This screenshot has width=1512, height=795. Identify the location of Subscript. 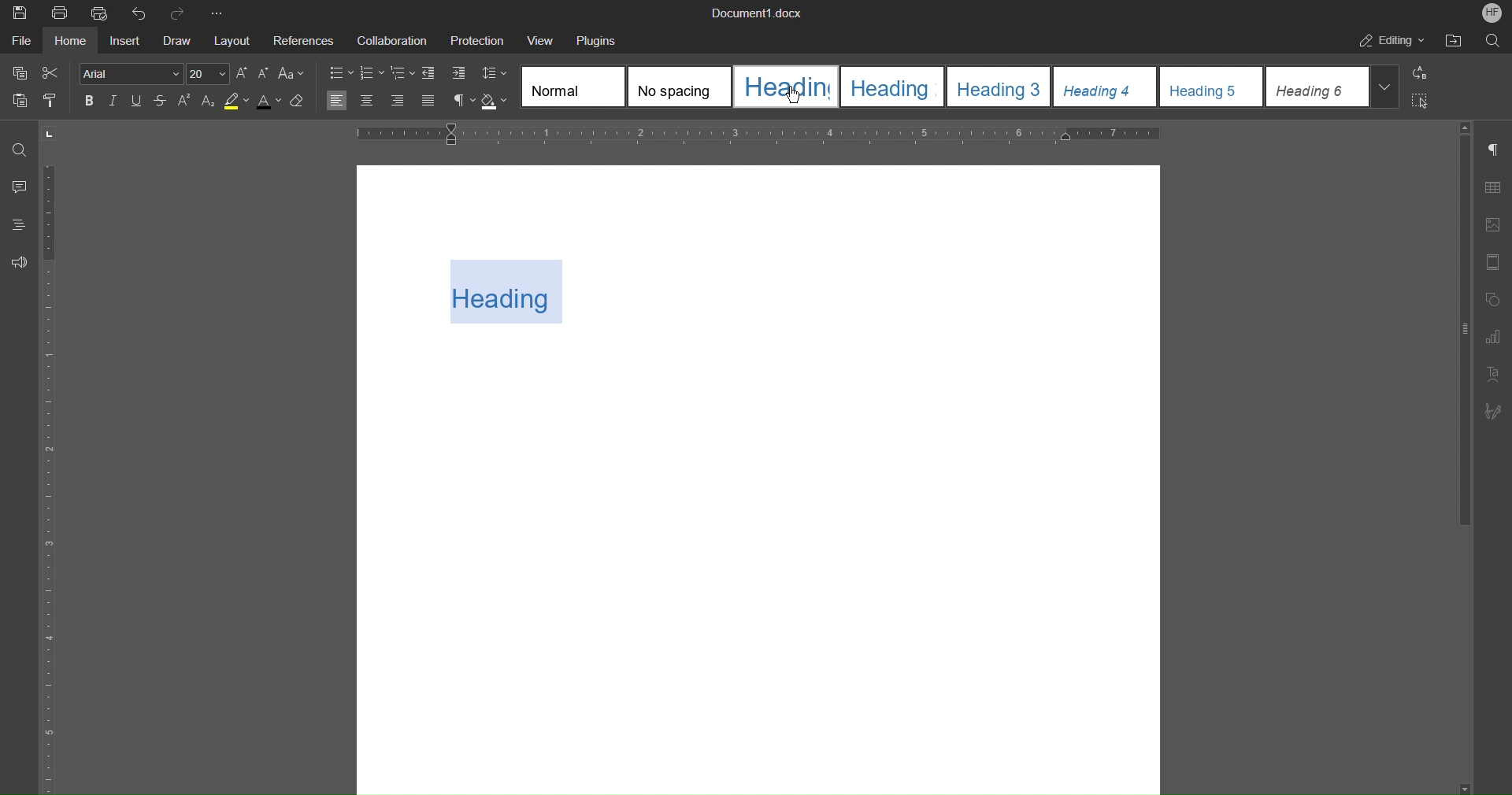
(210, 103).